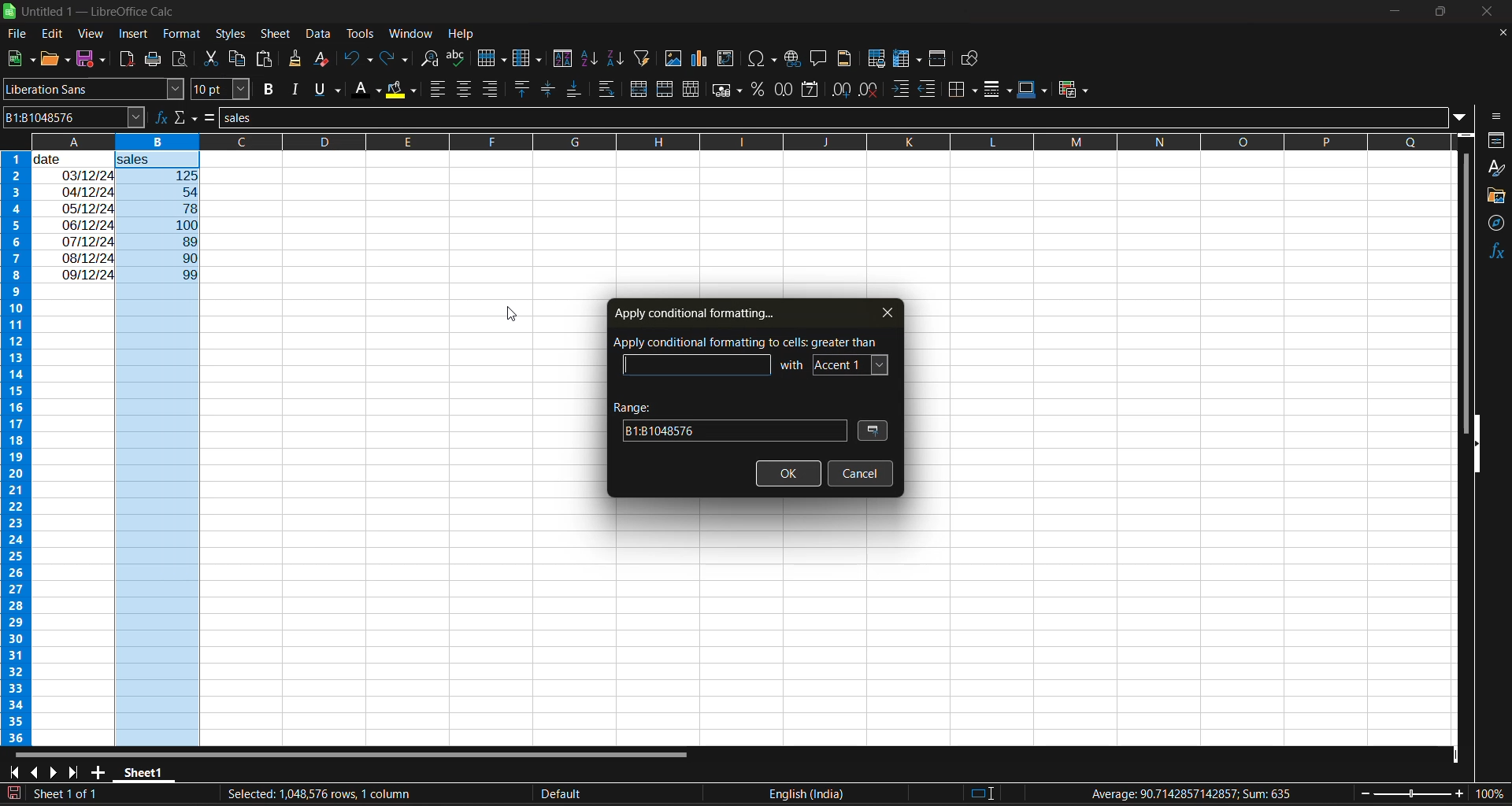 This screenshot has width=1512, height=806. I want to click on standard selection, so click(983, 793).